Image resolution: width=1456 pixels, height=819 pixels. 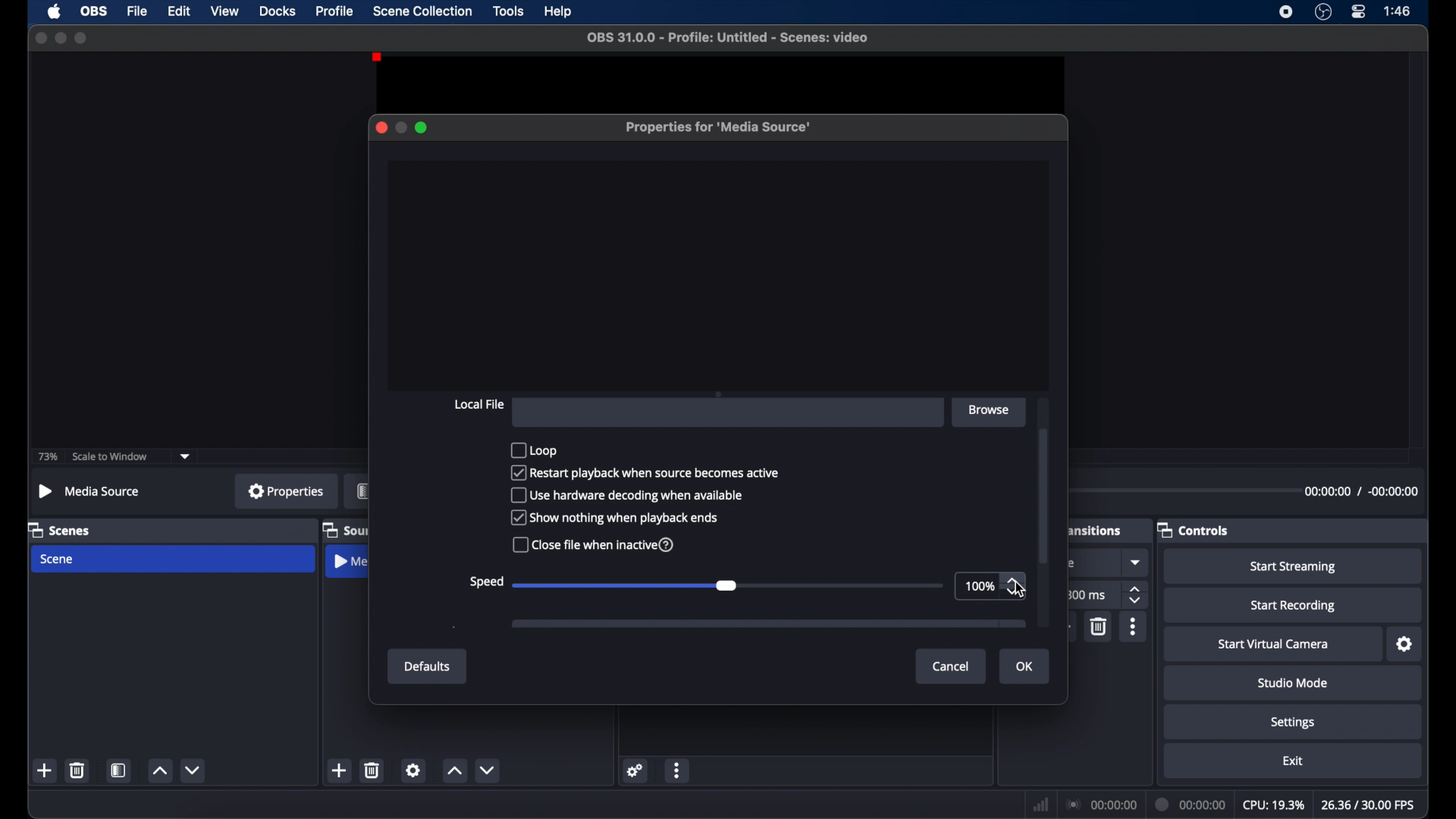 I want to click on delete, so click(x=372, y=770).